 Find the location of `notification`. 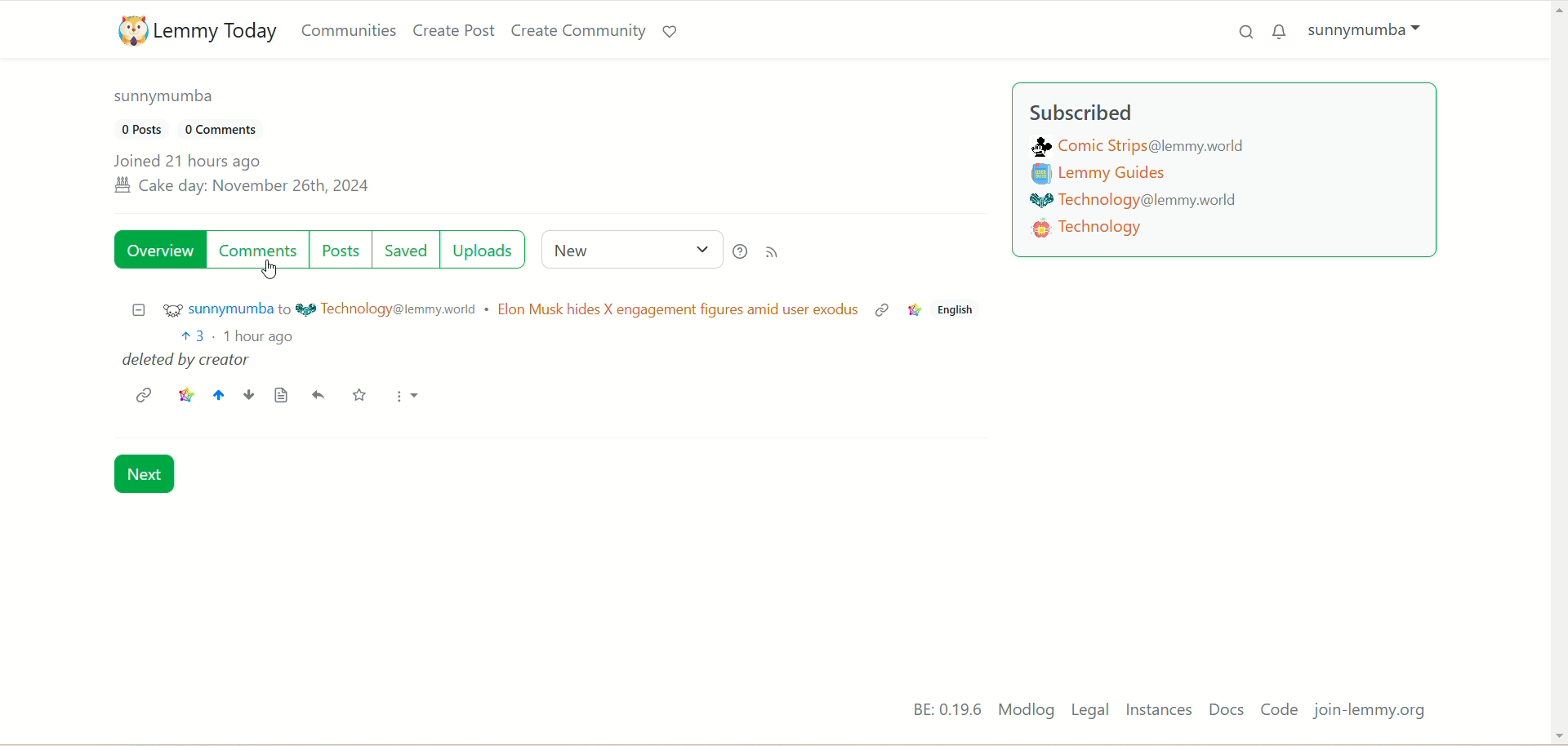

notification is located at coordinates (1281, 31).